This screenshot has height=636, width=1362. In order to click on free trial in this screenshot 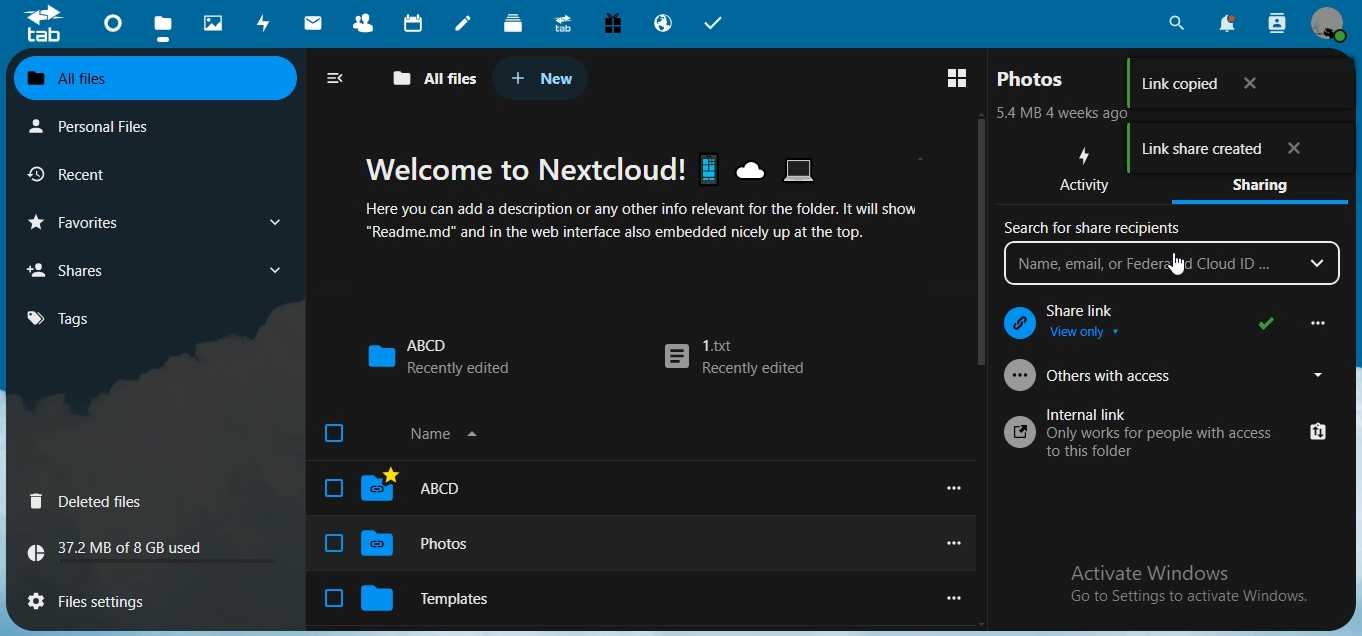, I will do `click(613, 24)`.